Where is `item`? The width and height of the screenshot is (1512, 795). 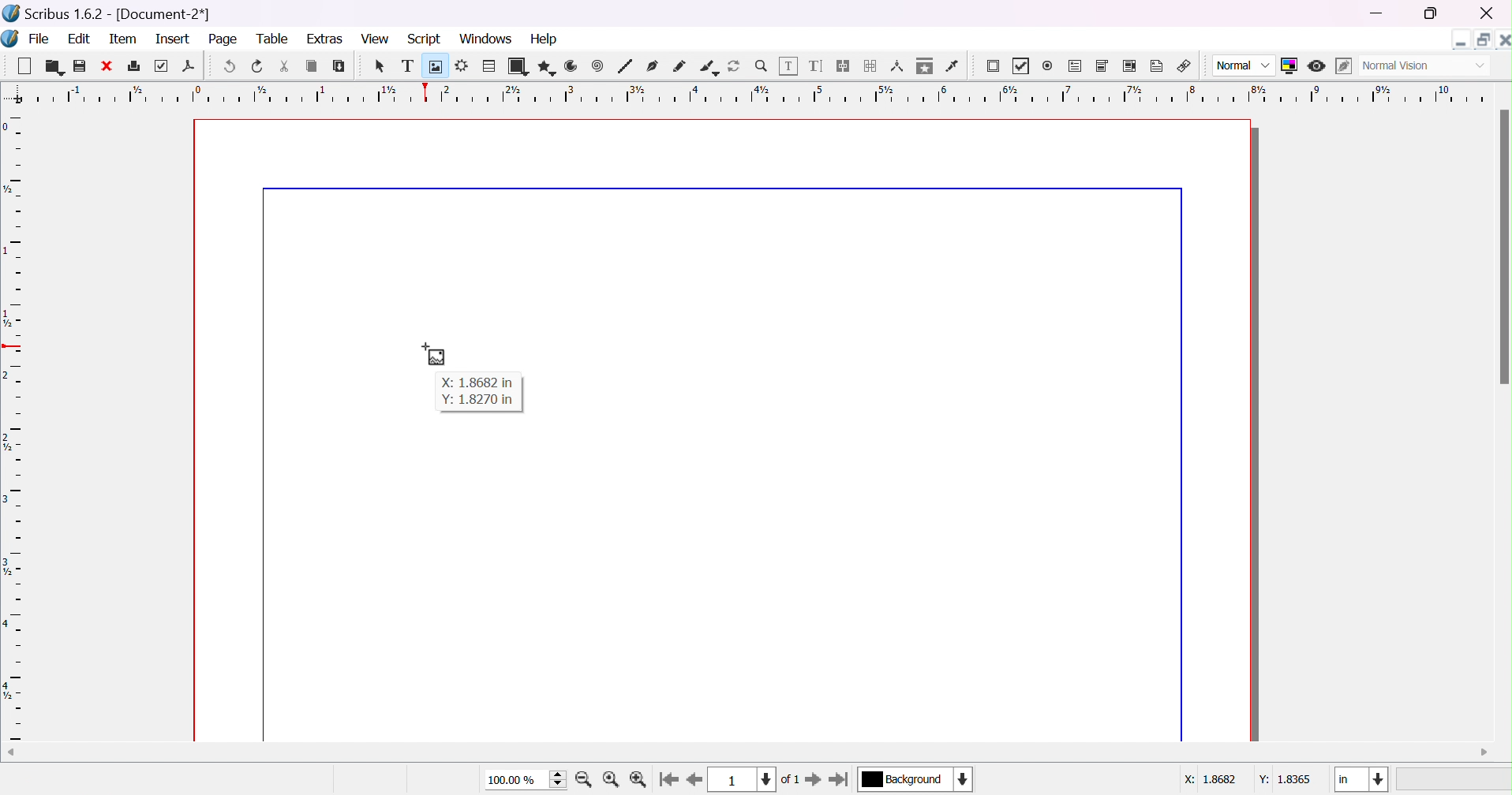 item is located at coordinates (122, 39).